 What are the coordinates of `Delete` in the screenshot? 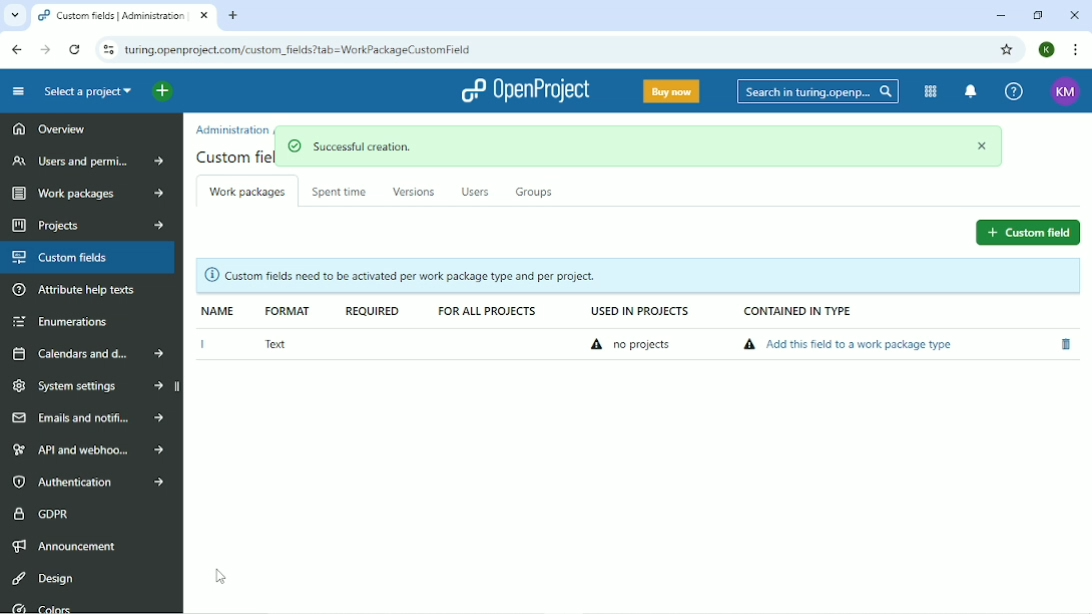 It's located at (1065, 344).